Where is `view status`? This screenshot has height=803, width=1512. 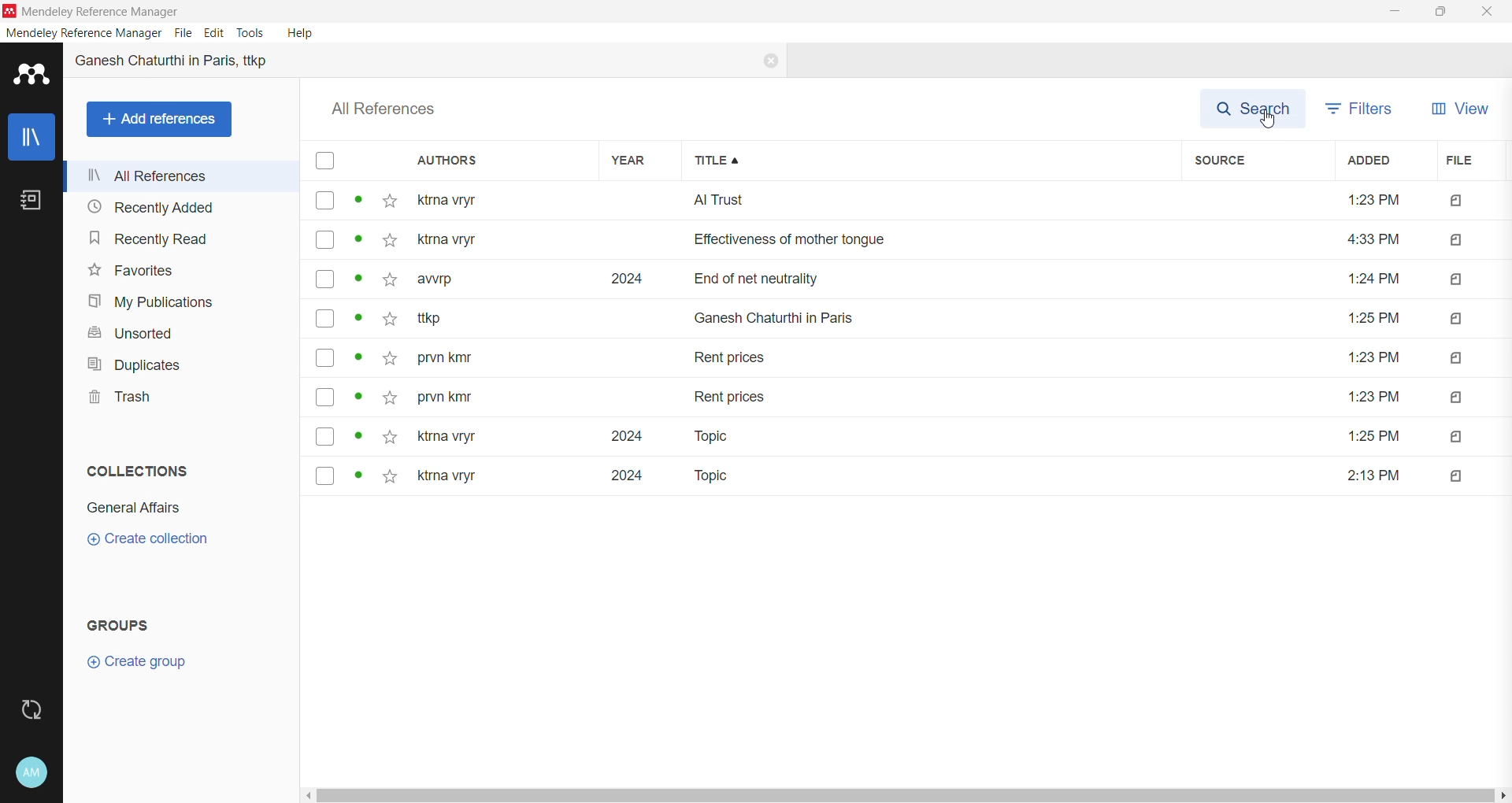 view status is located at coordinates (360, 318).